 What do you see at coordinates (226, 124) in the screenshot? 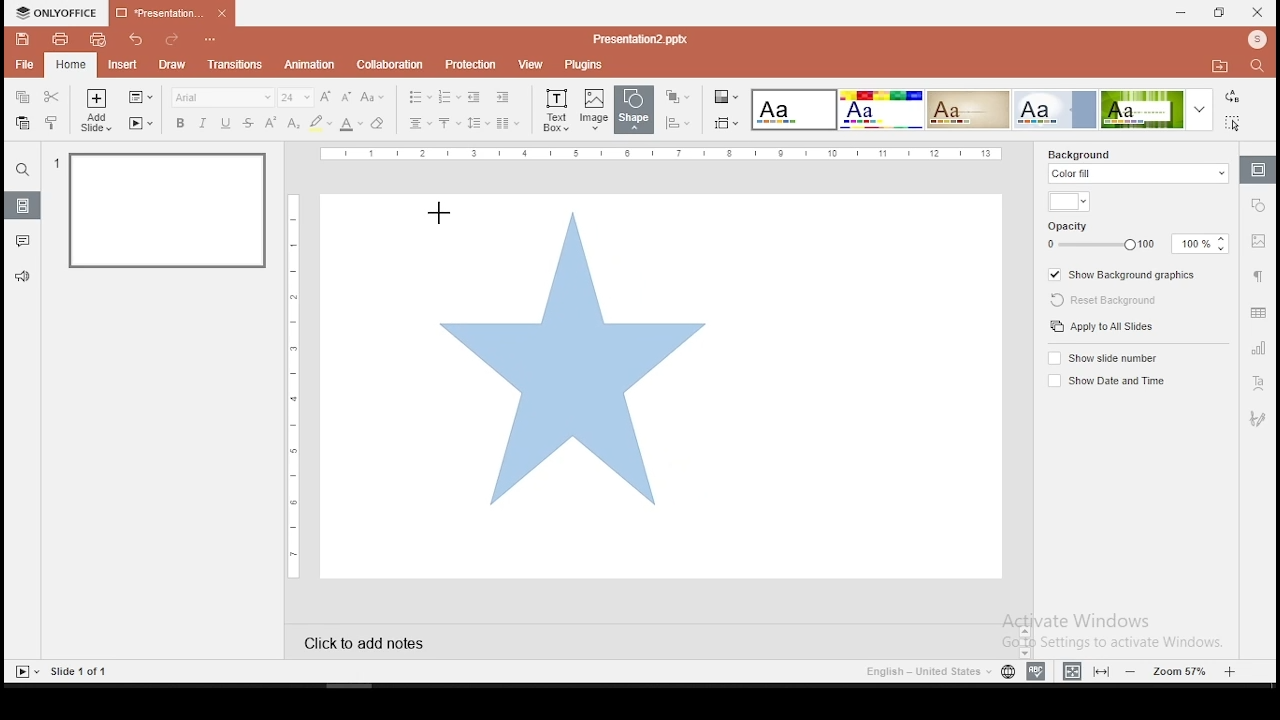
I see `underline` at bounding box center [226, 124].